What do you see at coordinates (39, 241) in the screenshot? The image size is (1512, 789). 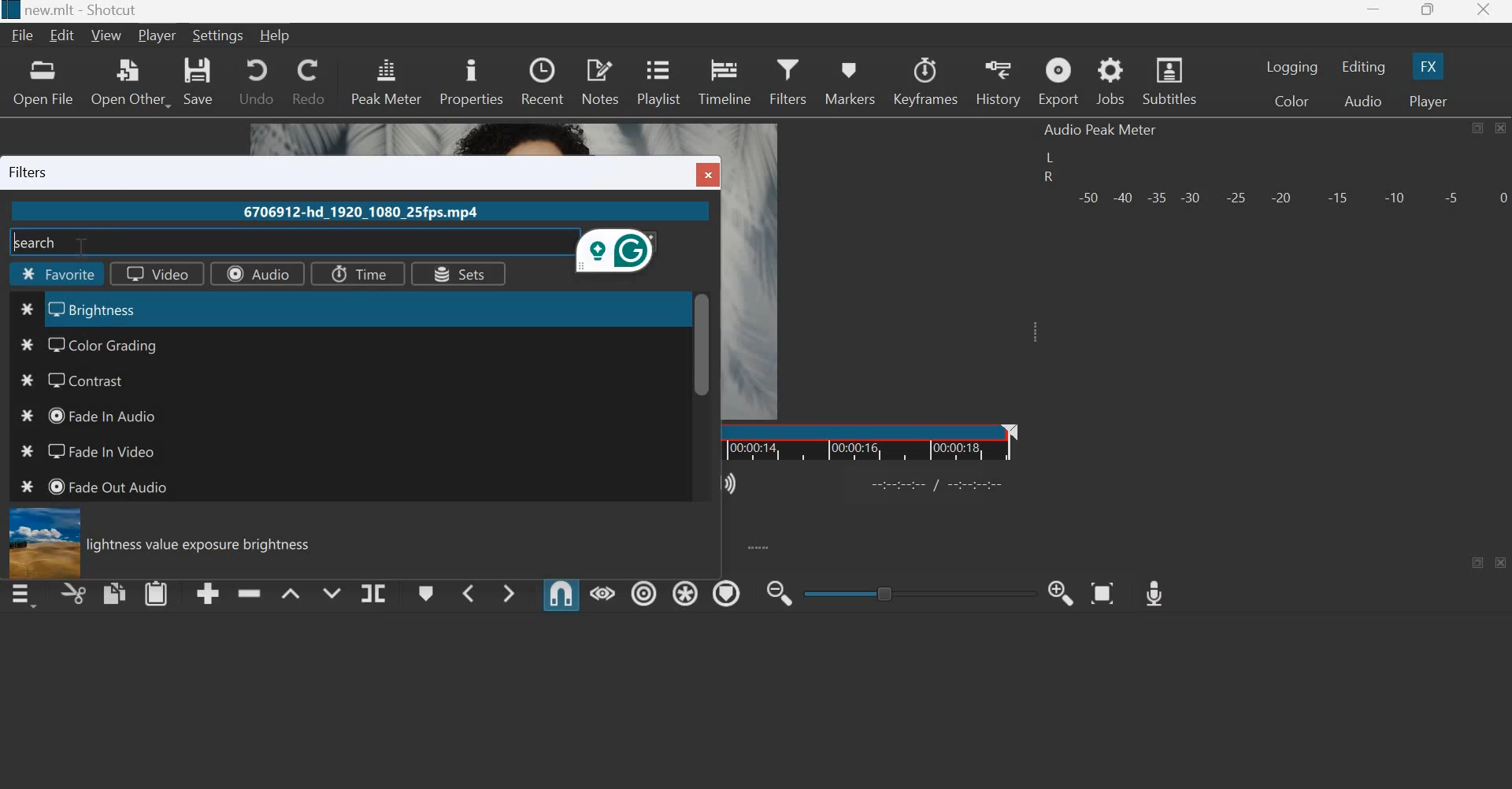 I see `search` at bounding box center [39, 241].